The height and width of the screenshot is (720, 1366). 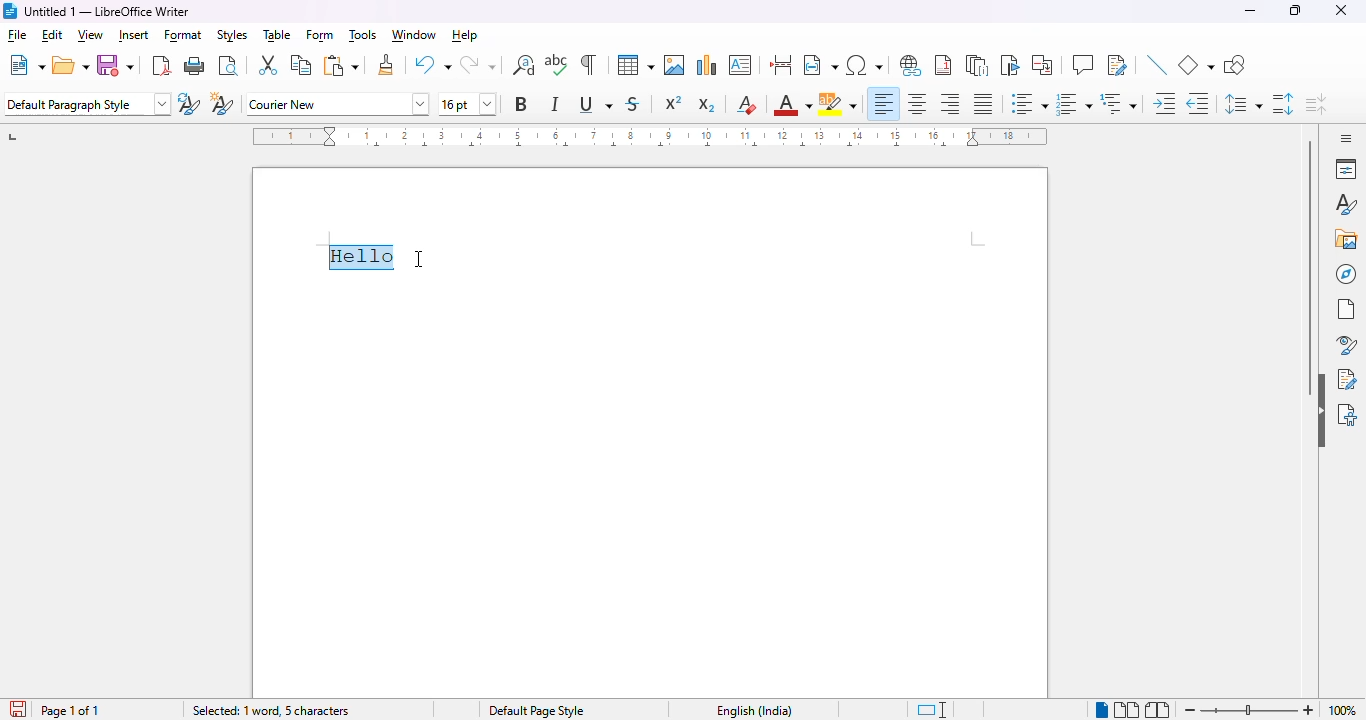 I want to click on subscript, so click(x=708, y=105).